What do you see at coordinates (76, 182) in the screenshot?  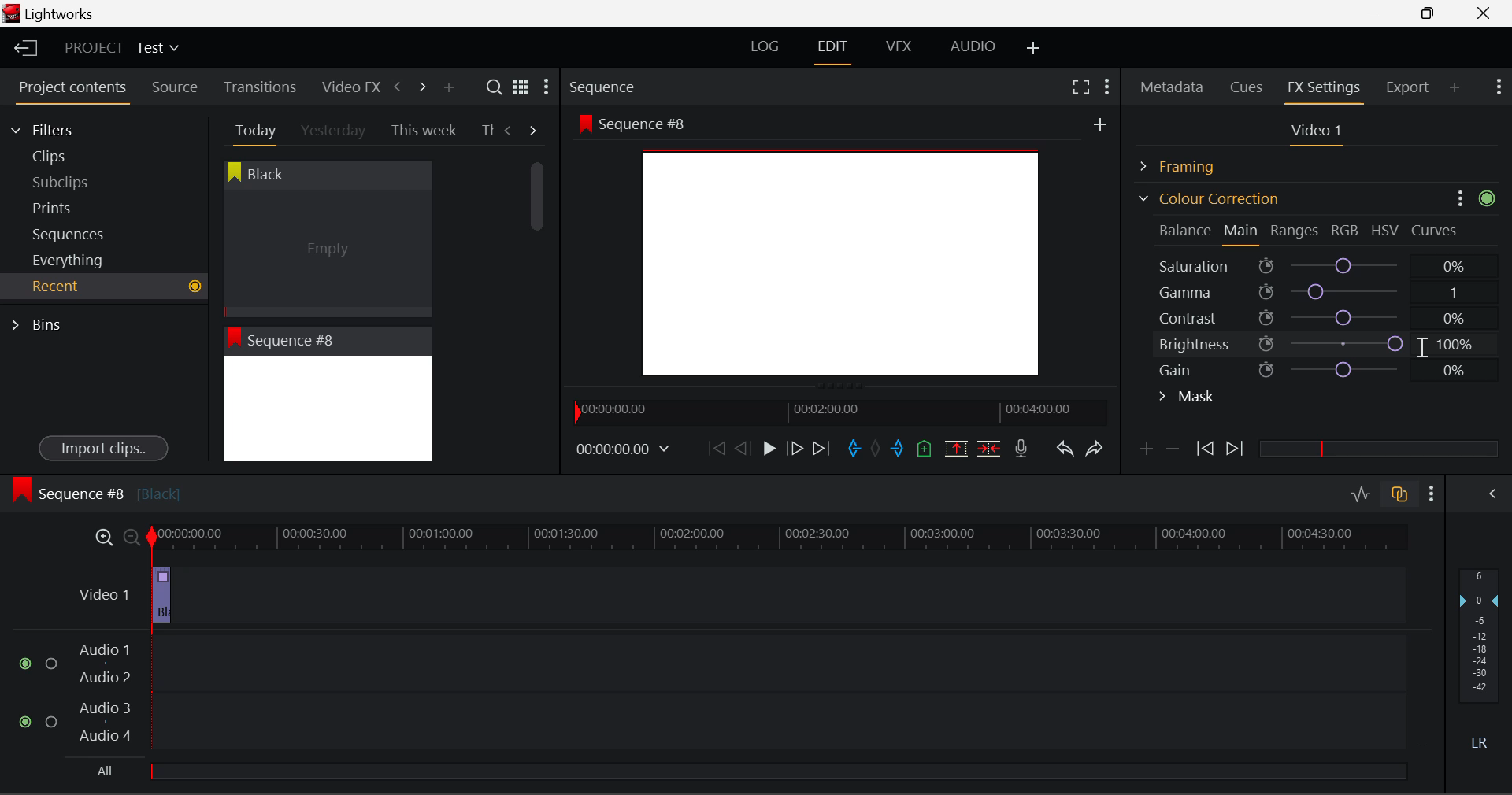 I see `Subclips` at bounding box center [76, 182].